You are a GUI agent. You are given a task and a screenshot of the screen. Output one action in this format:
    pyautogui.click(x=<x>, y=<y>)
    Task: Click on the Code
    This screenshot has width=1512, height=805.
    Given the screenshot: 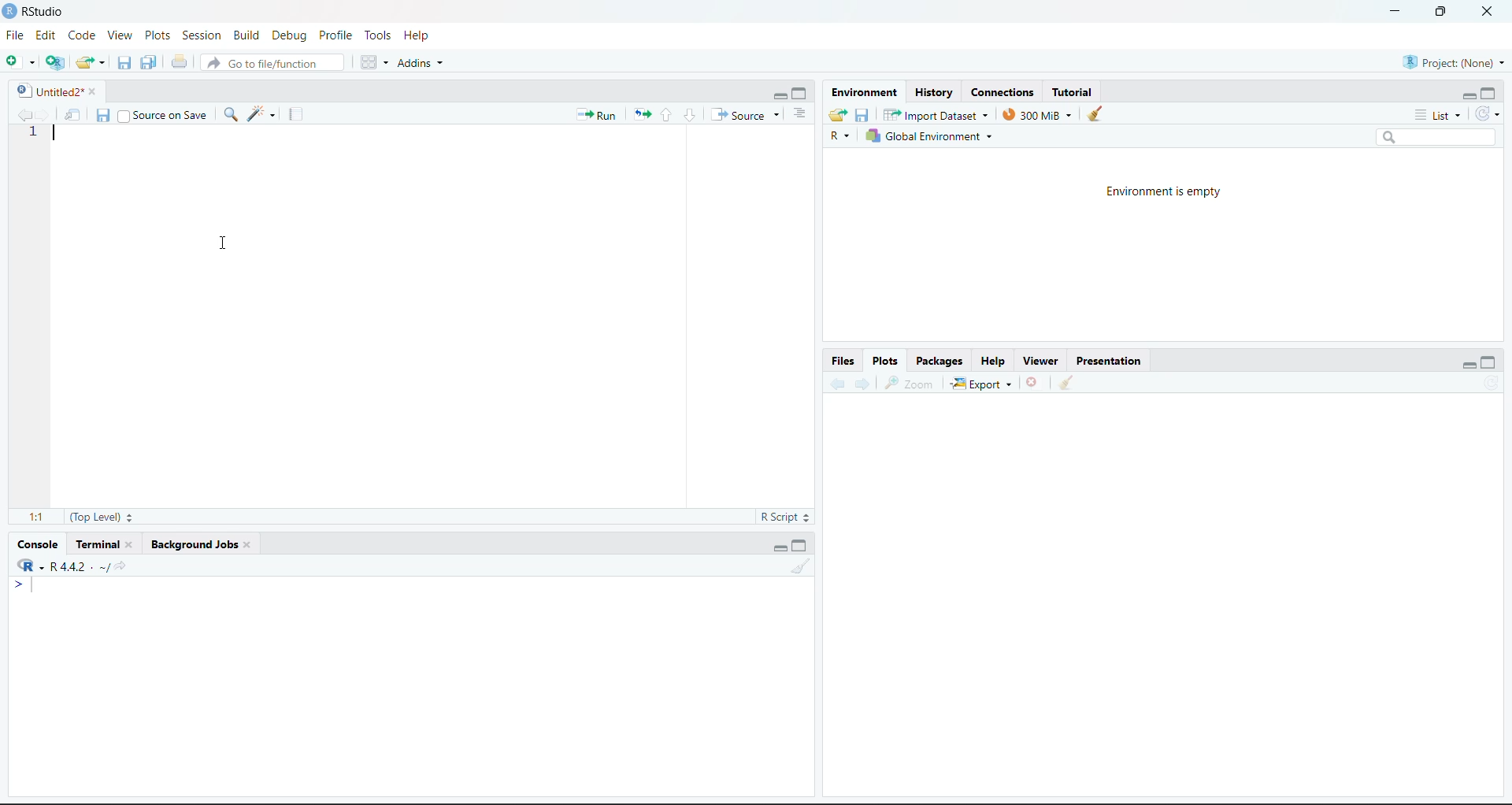 What is the action you would take?
    pyautogui.click(x=81, y=37)
    